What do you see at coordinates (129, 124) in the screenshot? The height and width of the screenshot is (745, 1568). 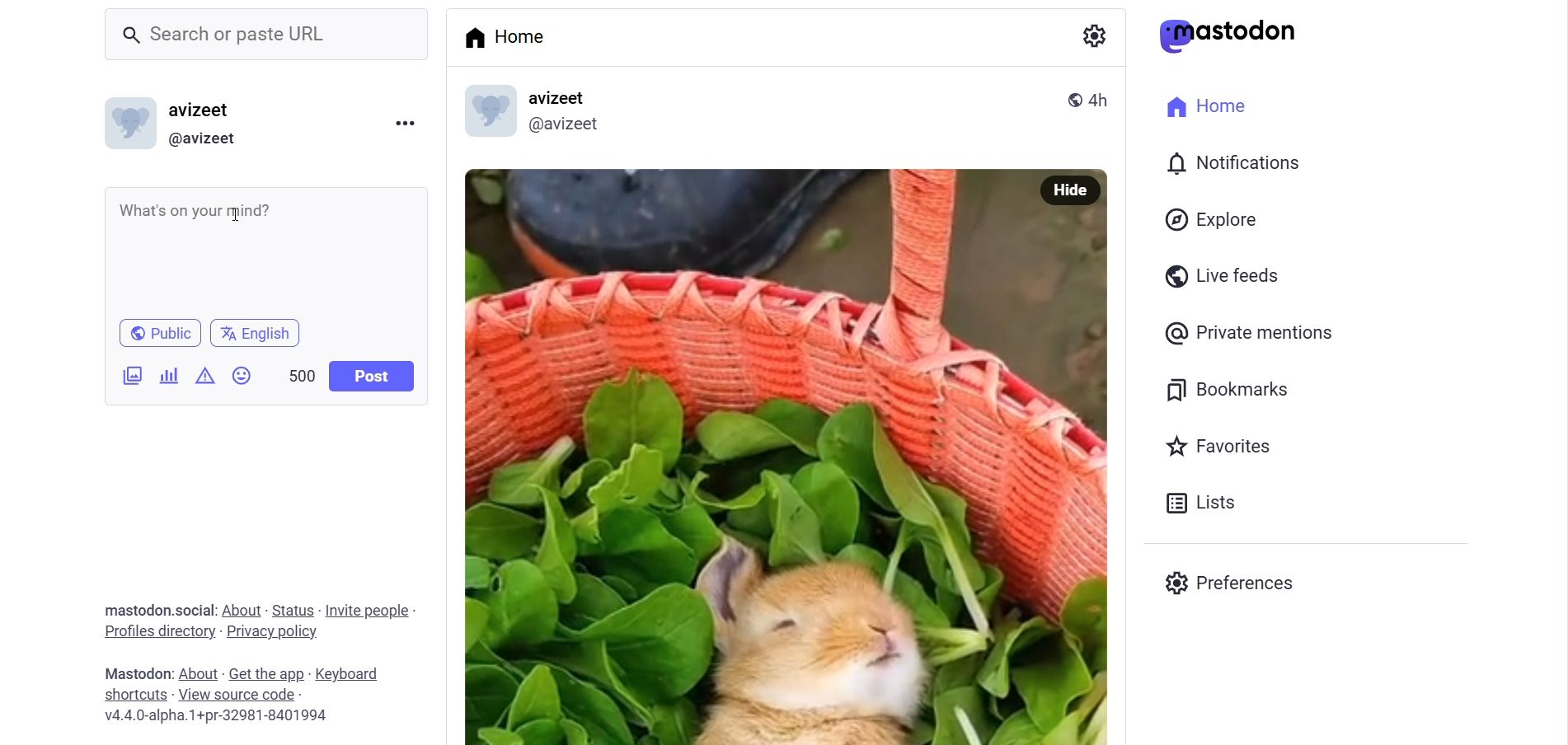 I see `Profile picture` at bounding box center [129, 124].